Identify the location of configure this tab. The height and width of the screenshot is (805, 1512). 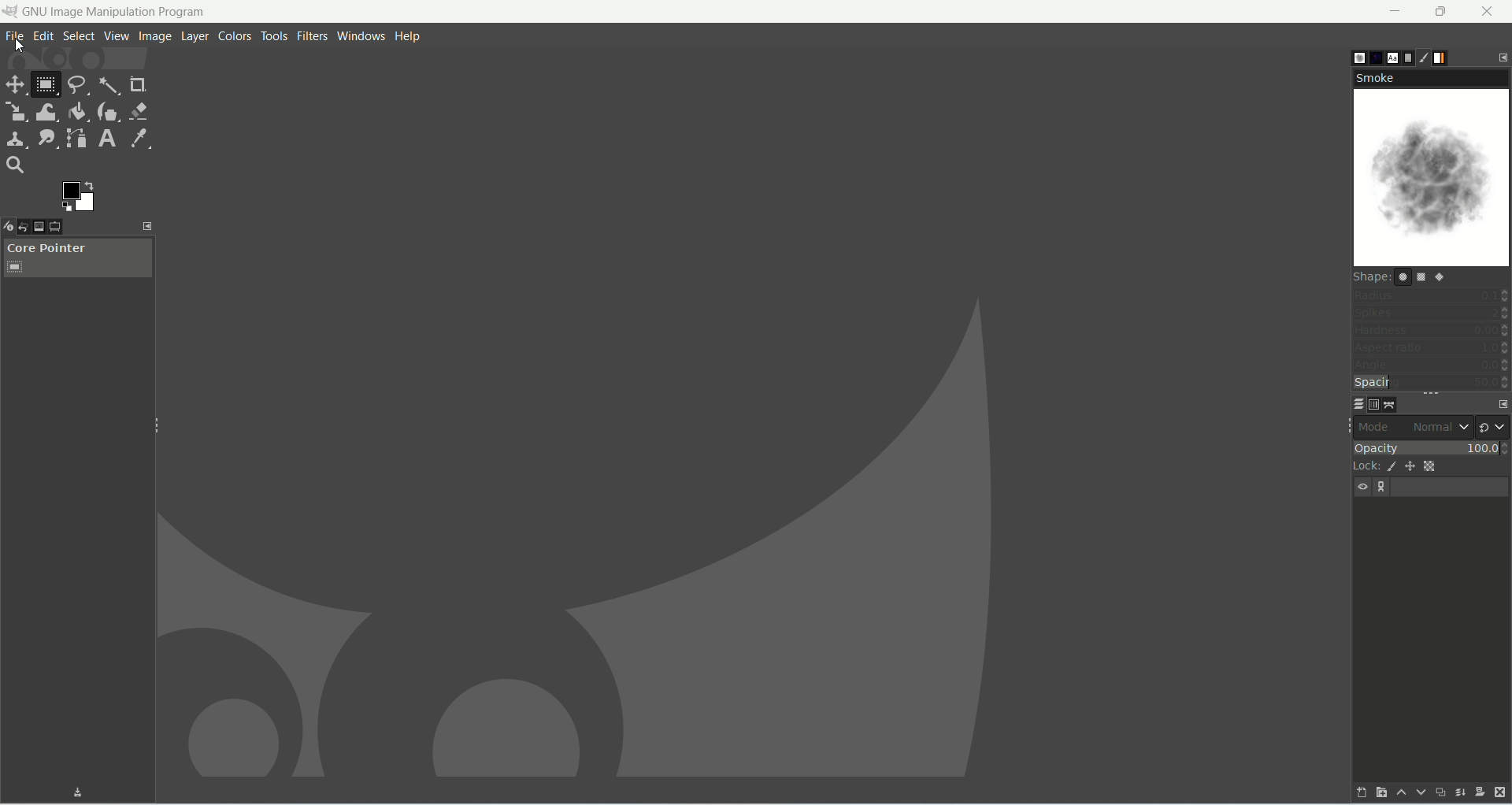
(1502, 56).